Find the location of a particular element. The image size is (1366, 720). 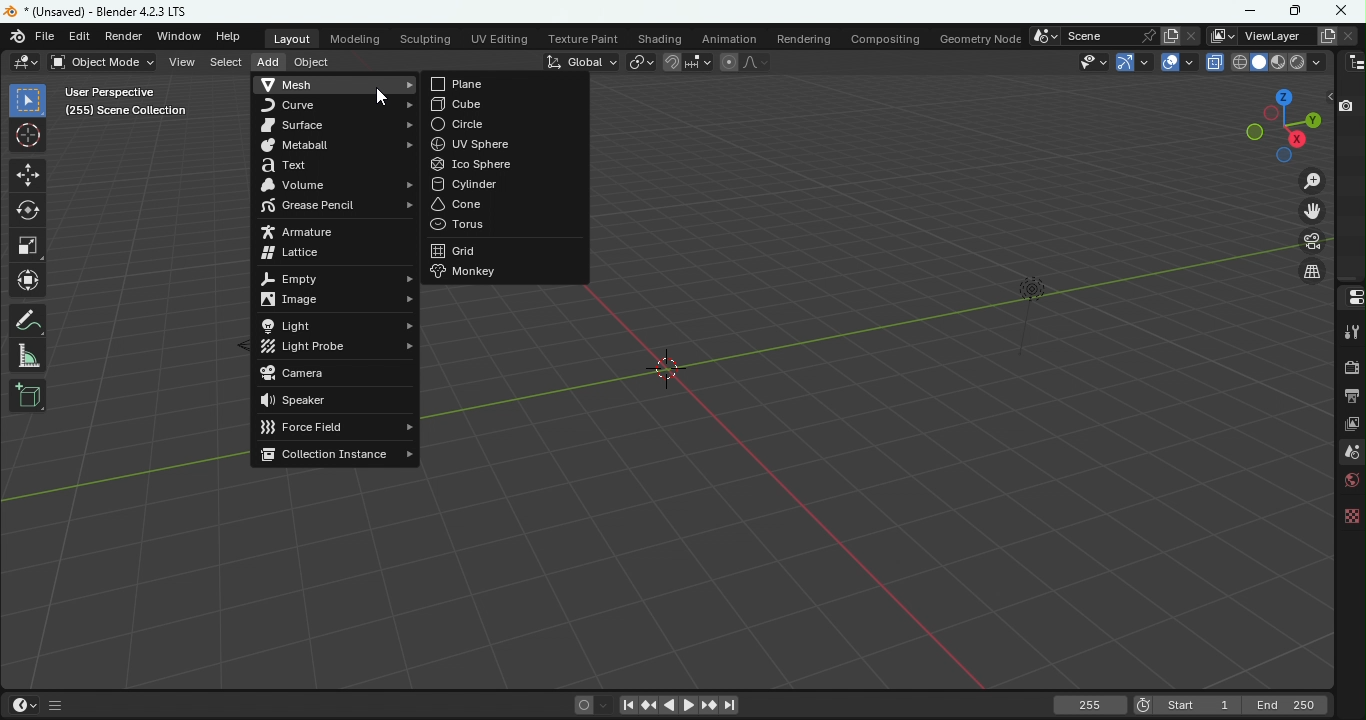

Add is located at coordinates (266, 60).